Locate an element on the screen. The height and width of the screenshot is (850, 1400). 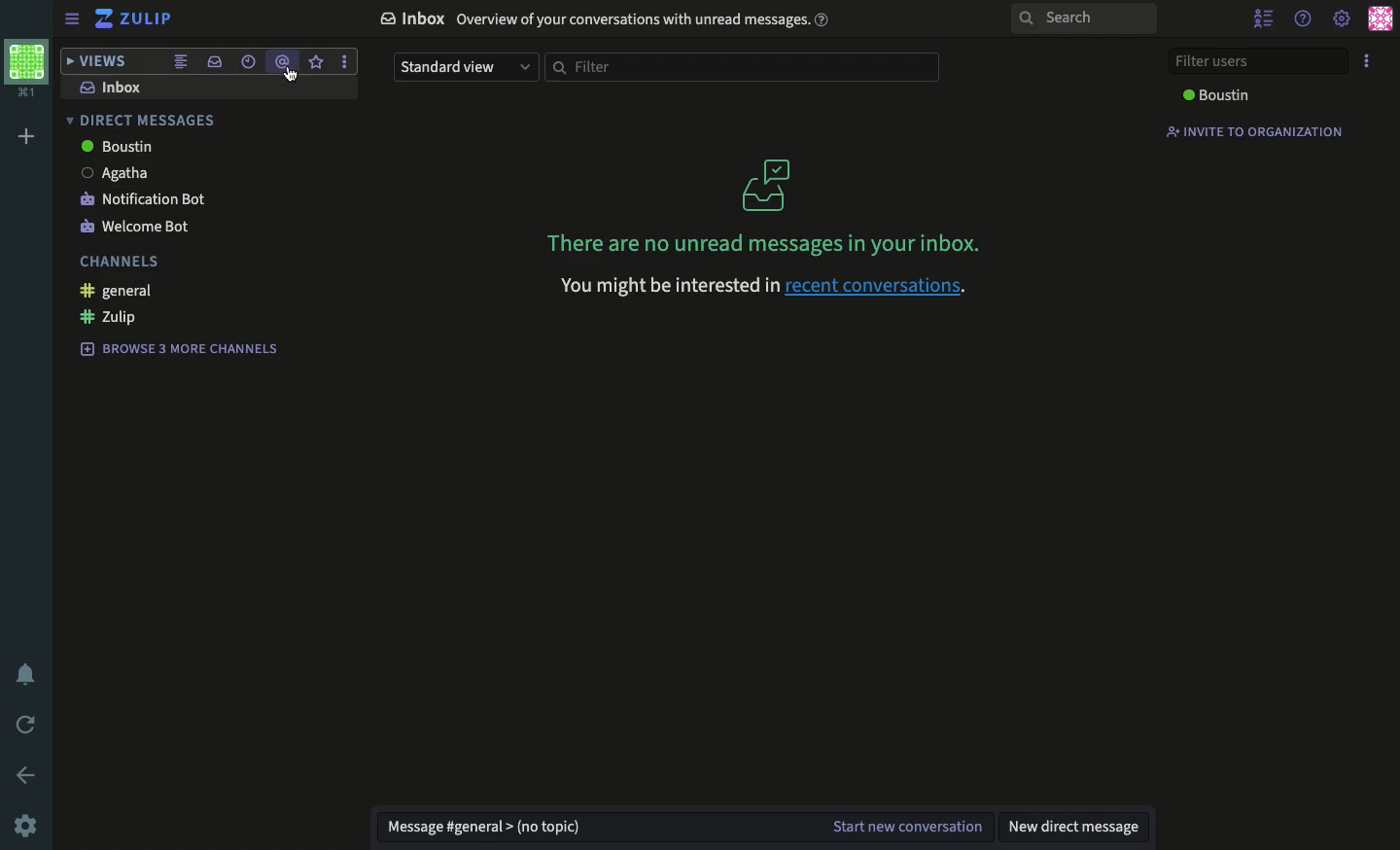
settings is located at coordinates (1341, 19).